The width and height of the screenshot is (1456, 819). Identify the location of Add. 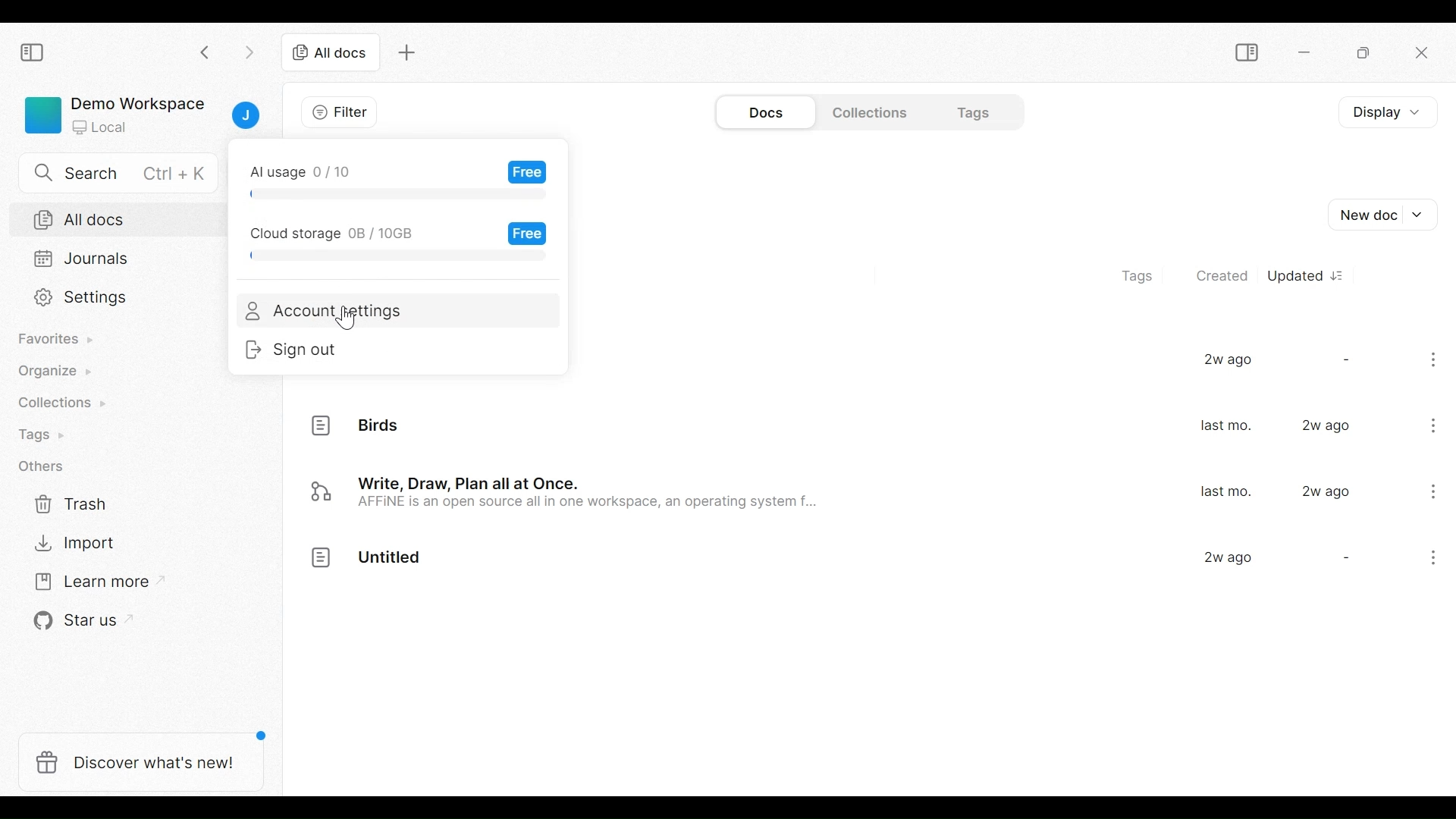
(409, 55).